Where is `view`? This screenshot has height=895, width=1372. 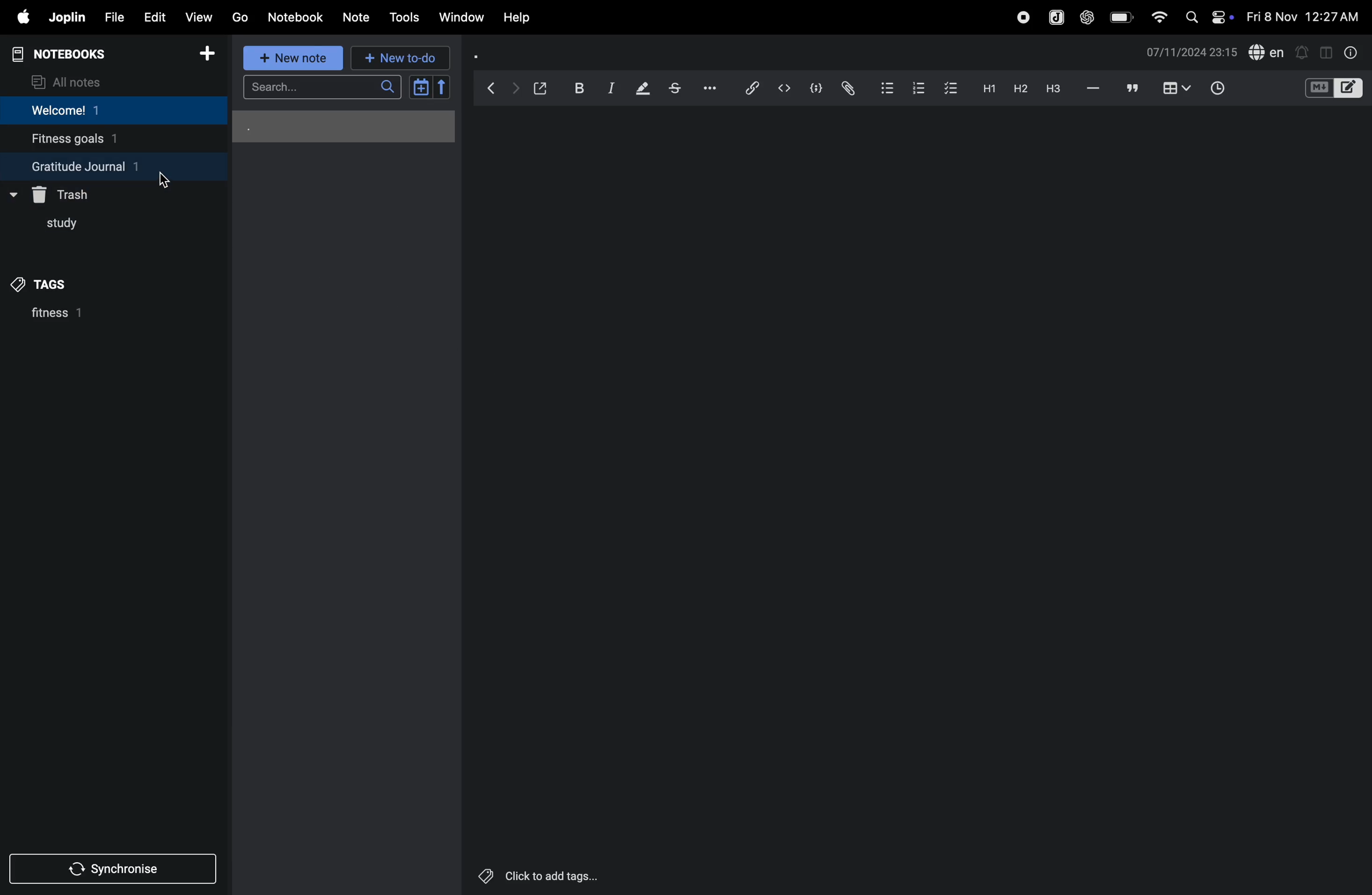 view is located at coordinates (195, 18).